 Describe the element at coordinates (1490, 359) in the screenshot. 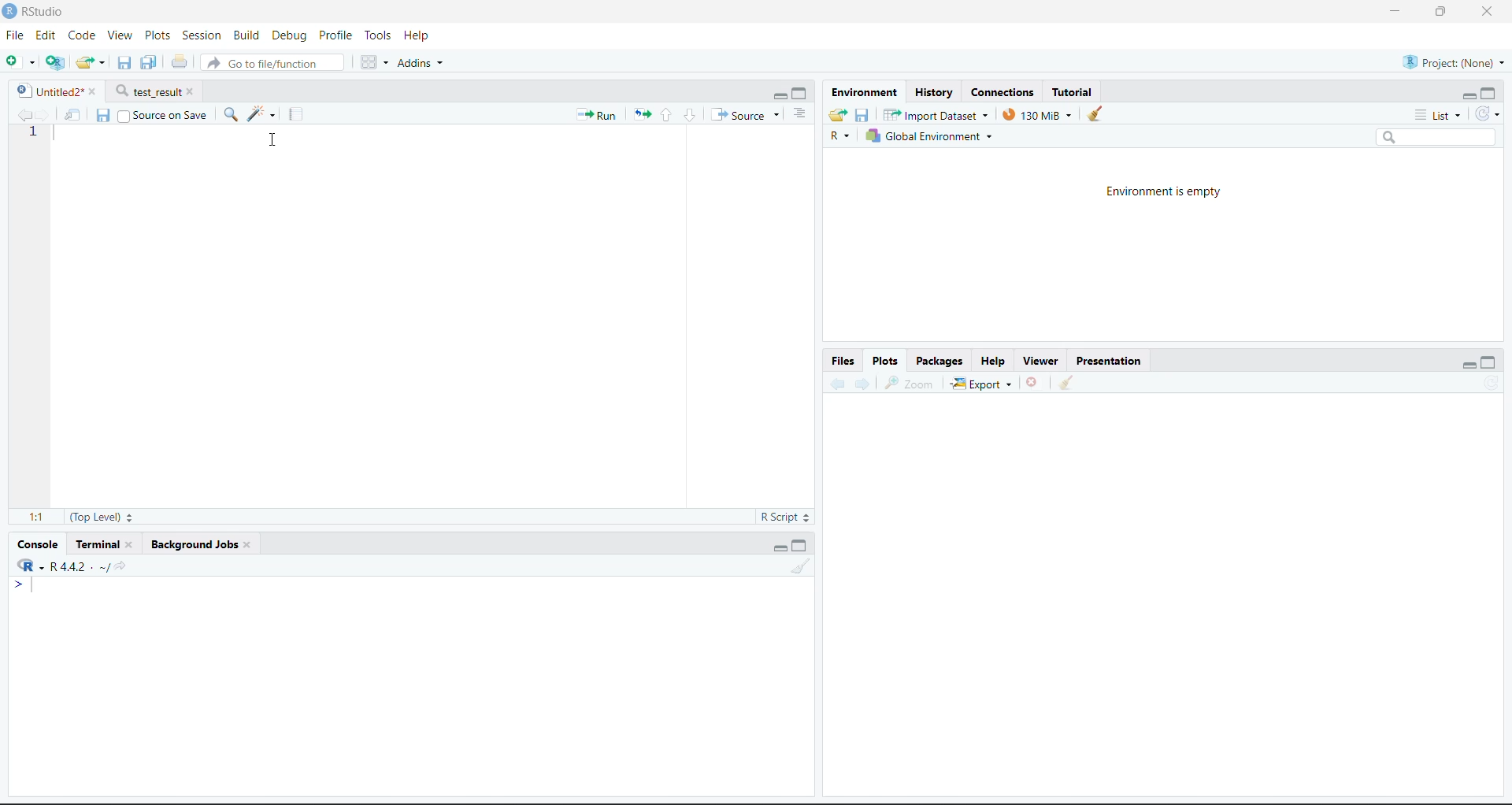

I see `Maximize` at that location.